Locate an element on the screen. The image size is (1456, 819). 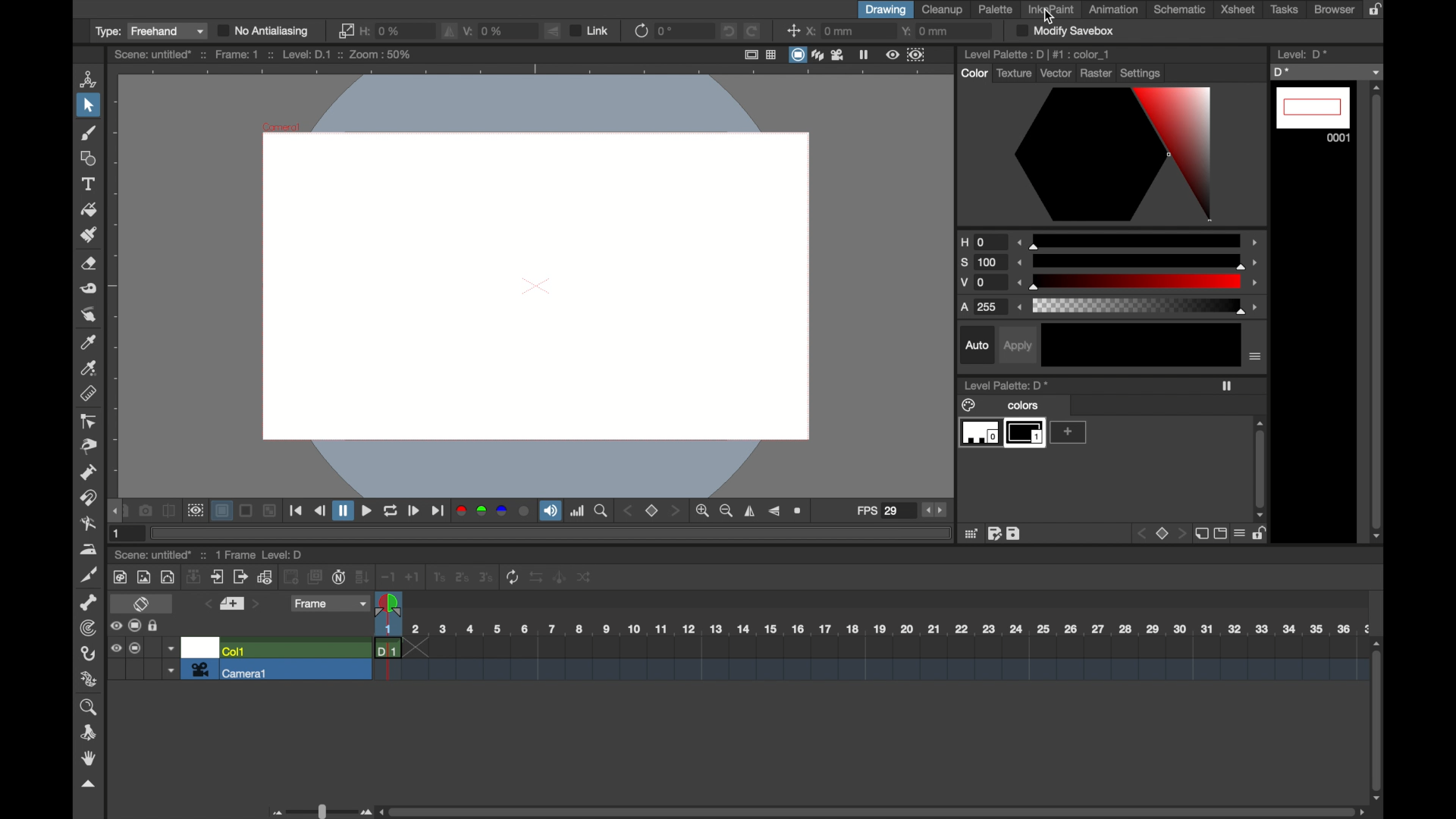
drawing is located at coordinates (886, 10).